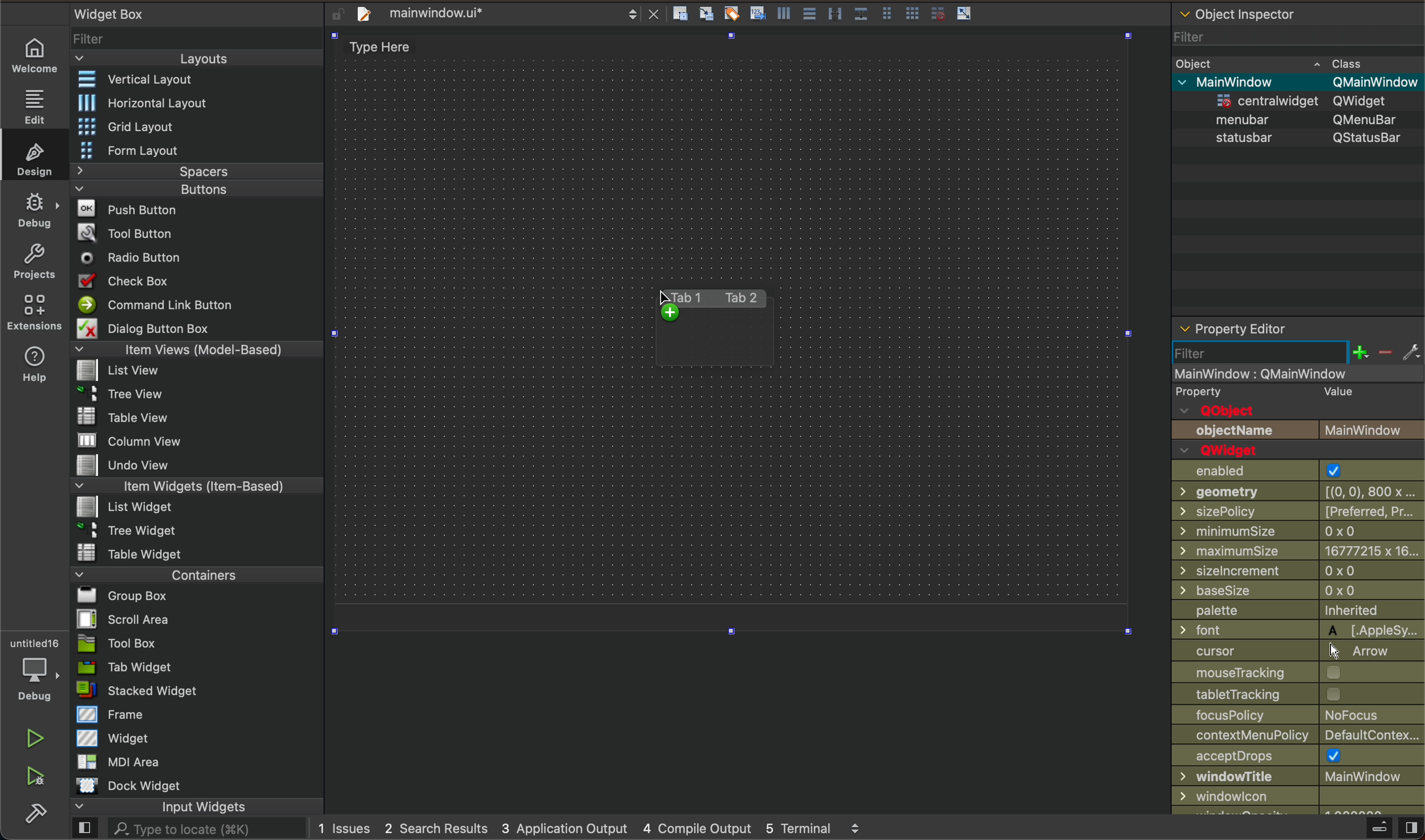 Image resolution: width=1425 pixels, height=840 pixels. Describe the element at coordinates (42, 777) in the screenshot. I see `run and debuh` at that location.